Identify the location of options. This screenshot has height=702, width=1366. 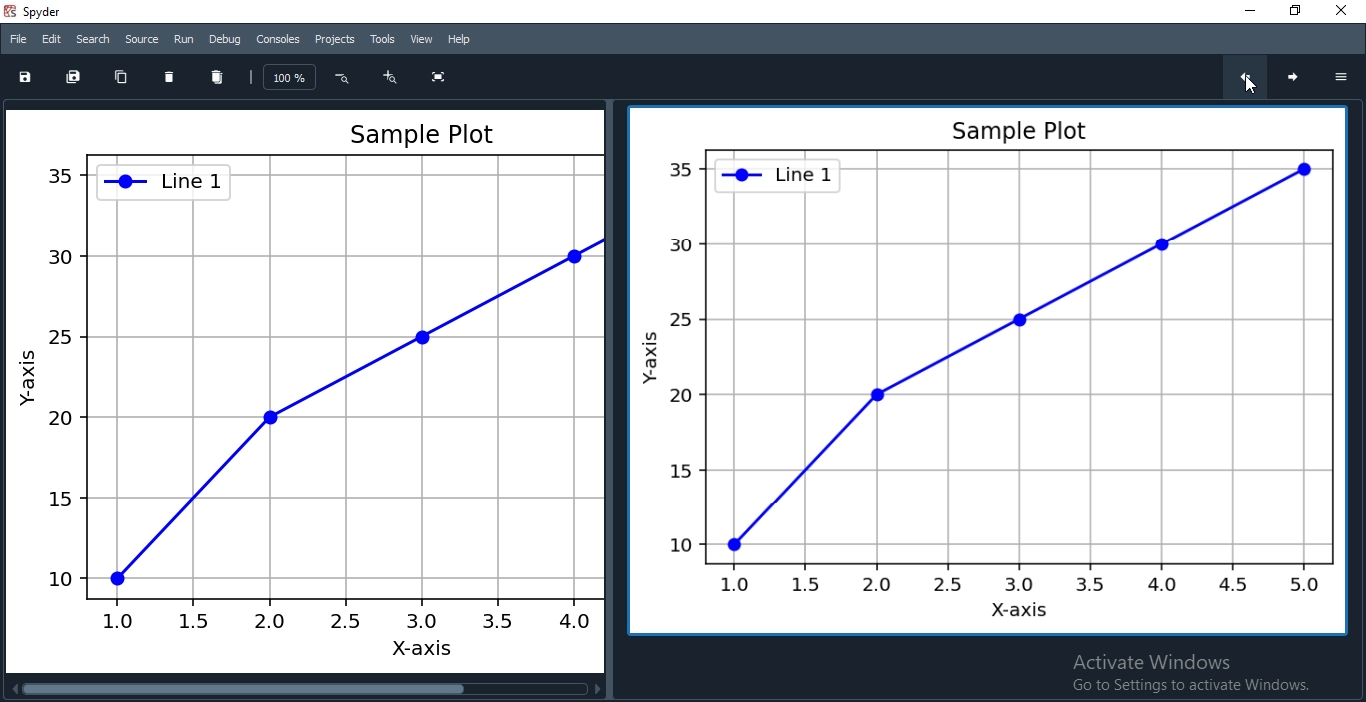
(1340, 75).